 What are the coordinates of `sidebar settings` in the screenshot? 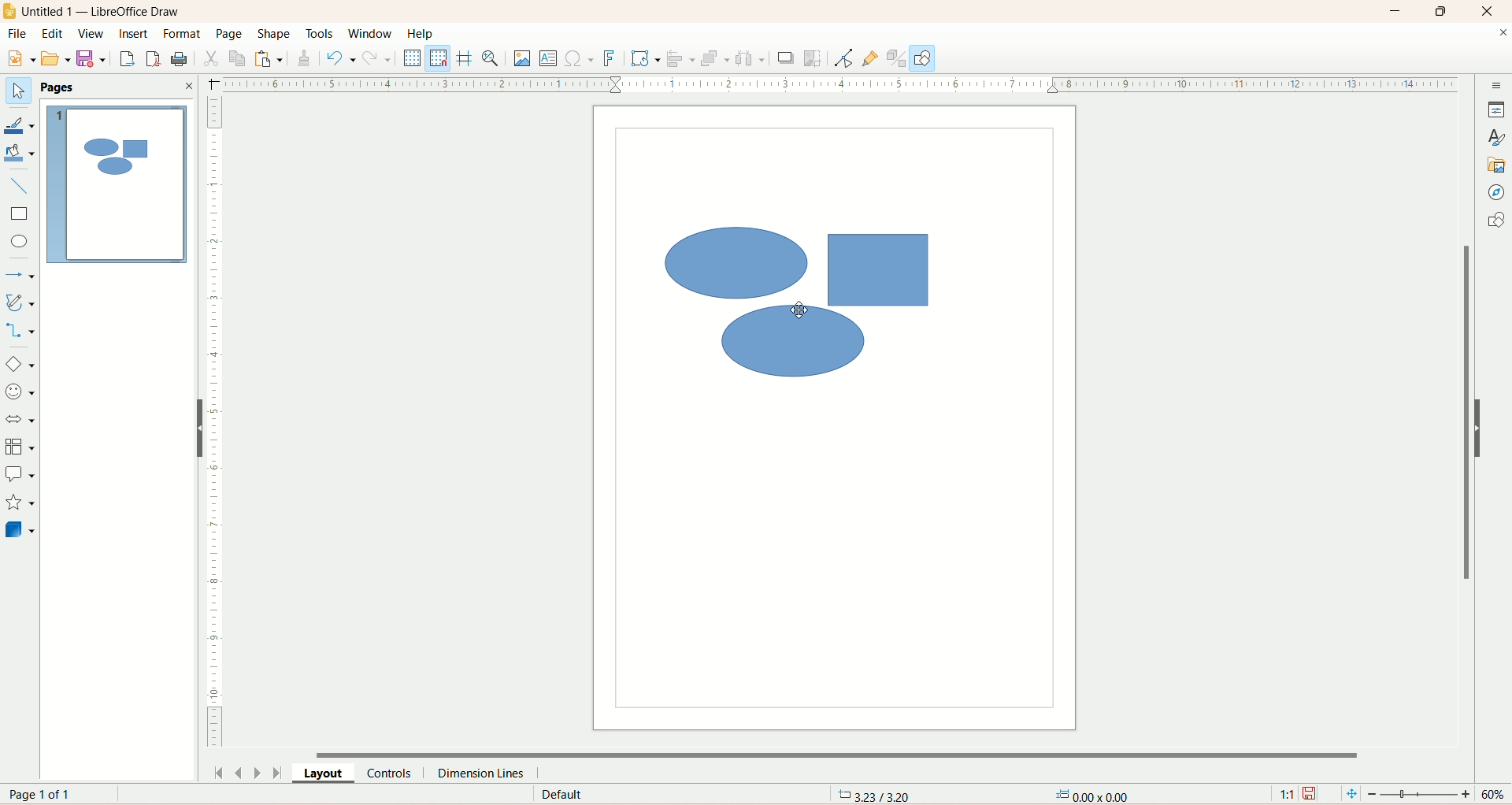 It's located at (1495, 86).